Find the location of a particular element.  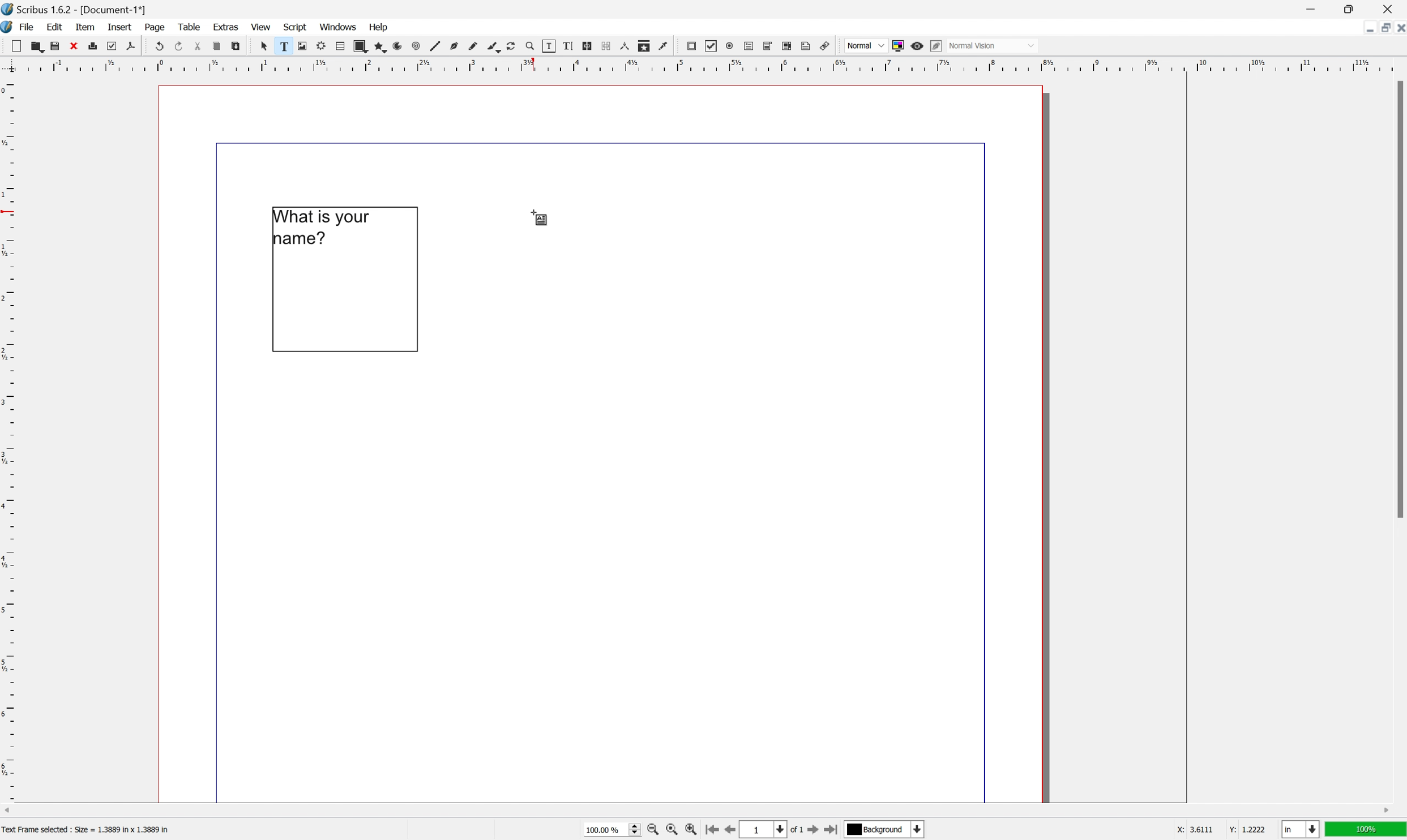

file is located at coordinates (28, 28).